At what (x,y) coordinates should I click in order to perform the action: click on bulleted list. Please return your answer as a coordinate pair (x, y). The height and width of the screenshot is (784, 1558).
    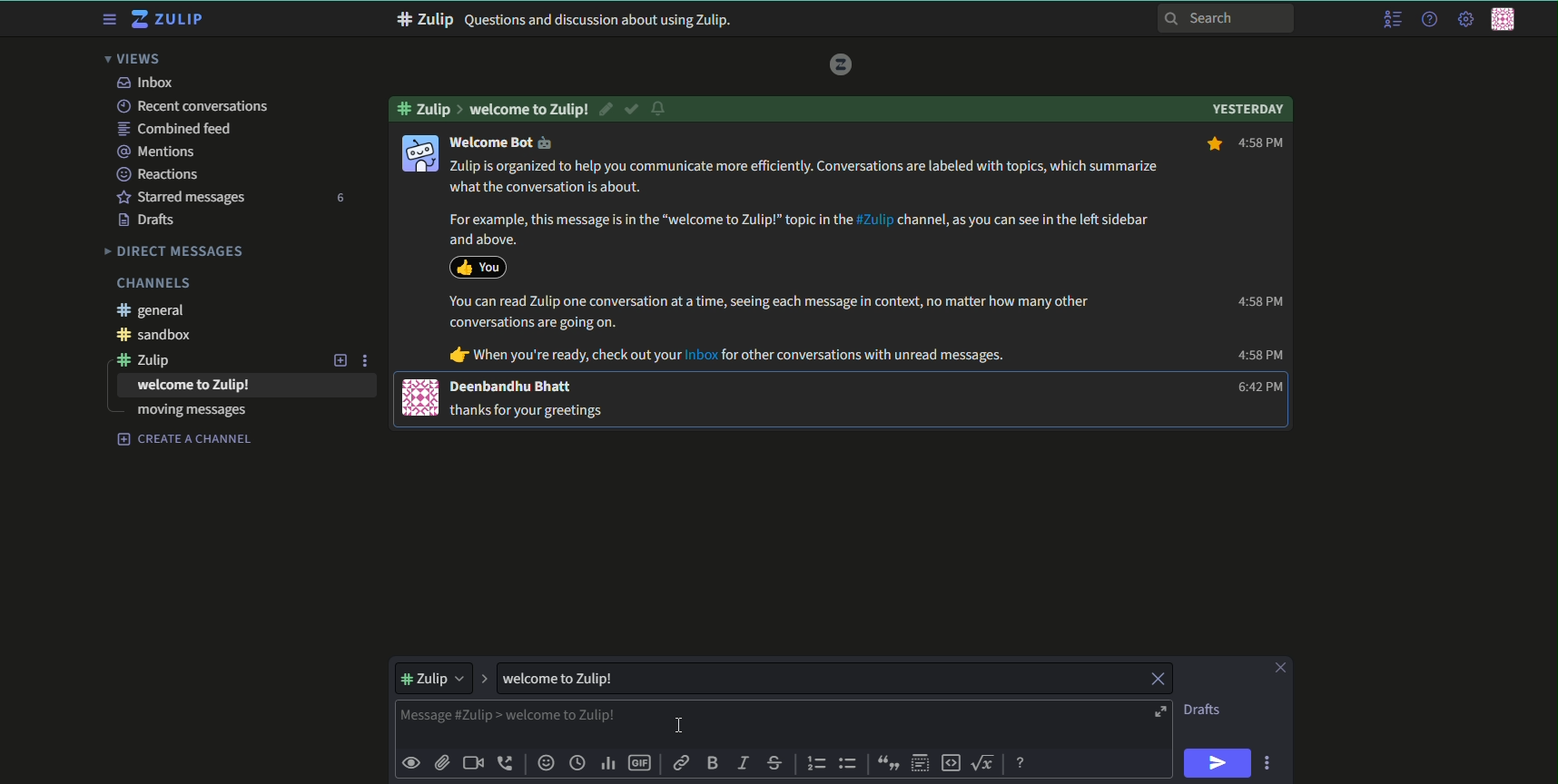
    Looking at the image, I should click on (848, 763).